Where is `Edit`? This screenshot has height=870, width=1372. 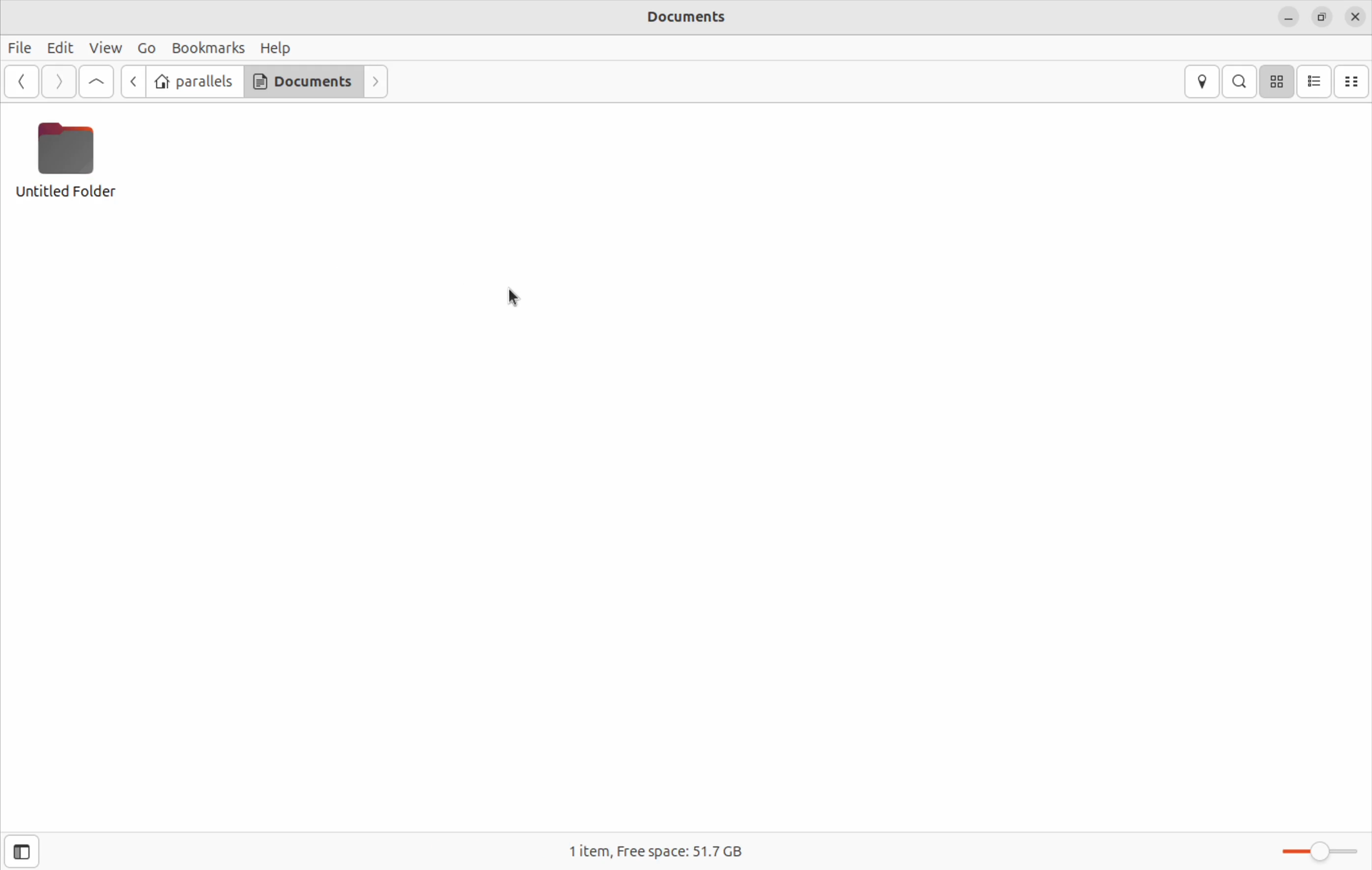 Edit is located at coordinates (60, 47).